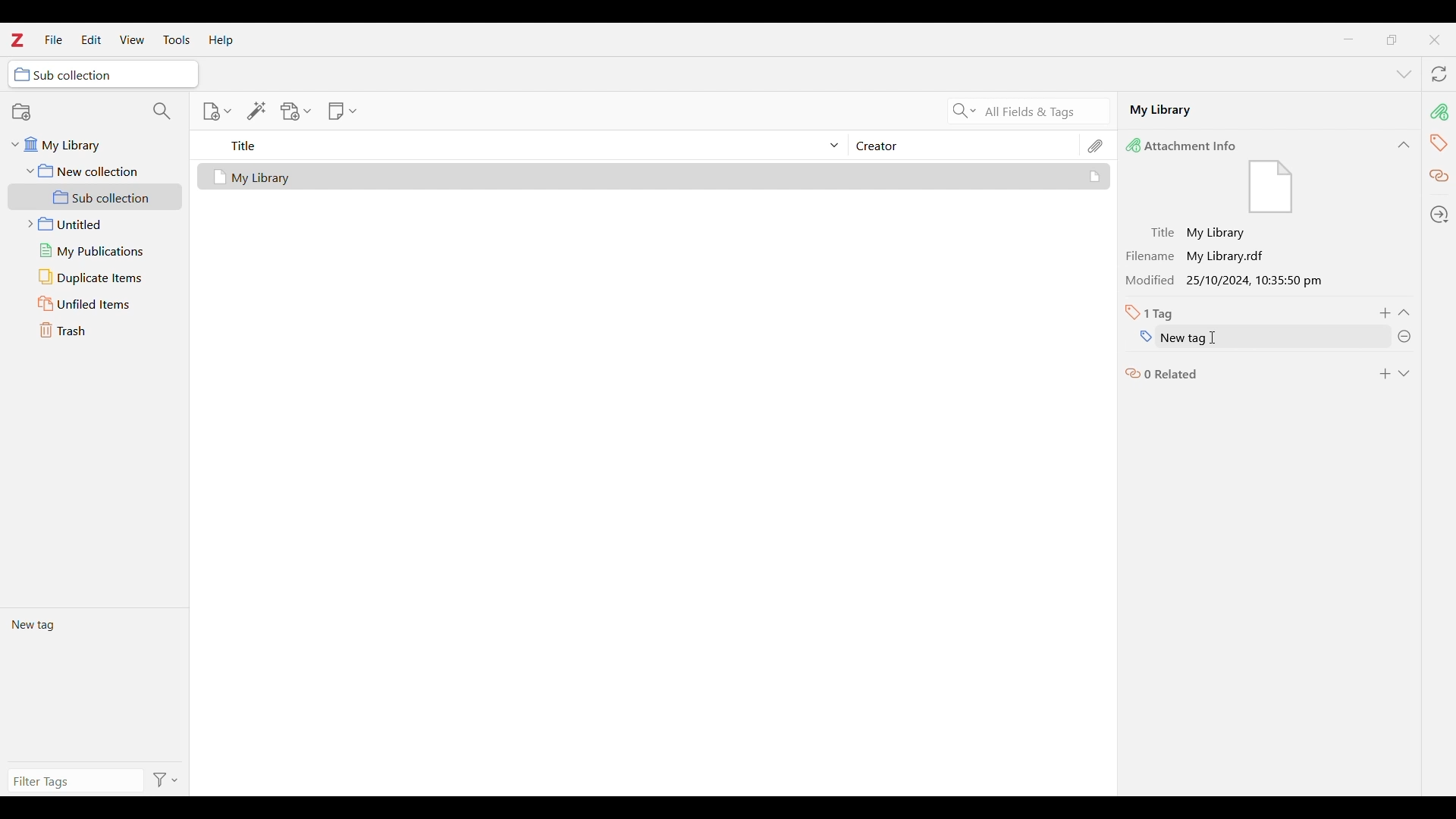 The image size is (1456, 819). Describe the element at coordinates (297, 111) in the screenshot. I see `Add attachment options` at that location.